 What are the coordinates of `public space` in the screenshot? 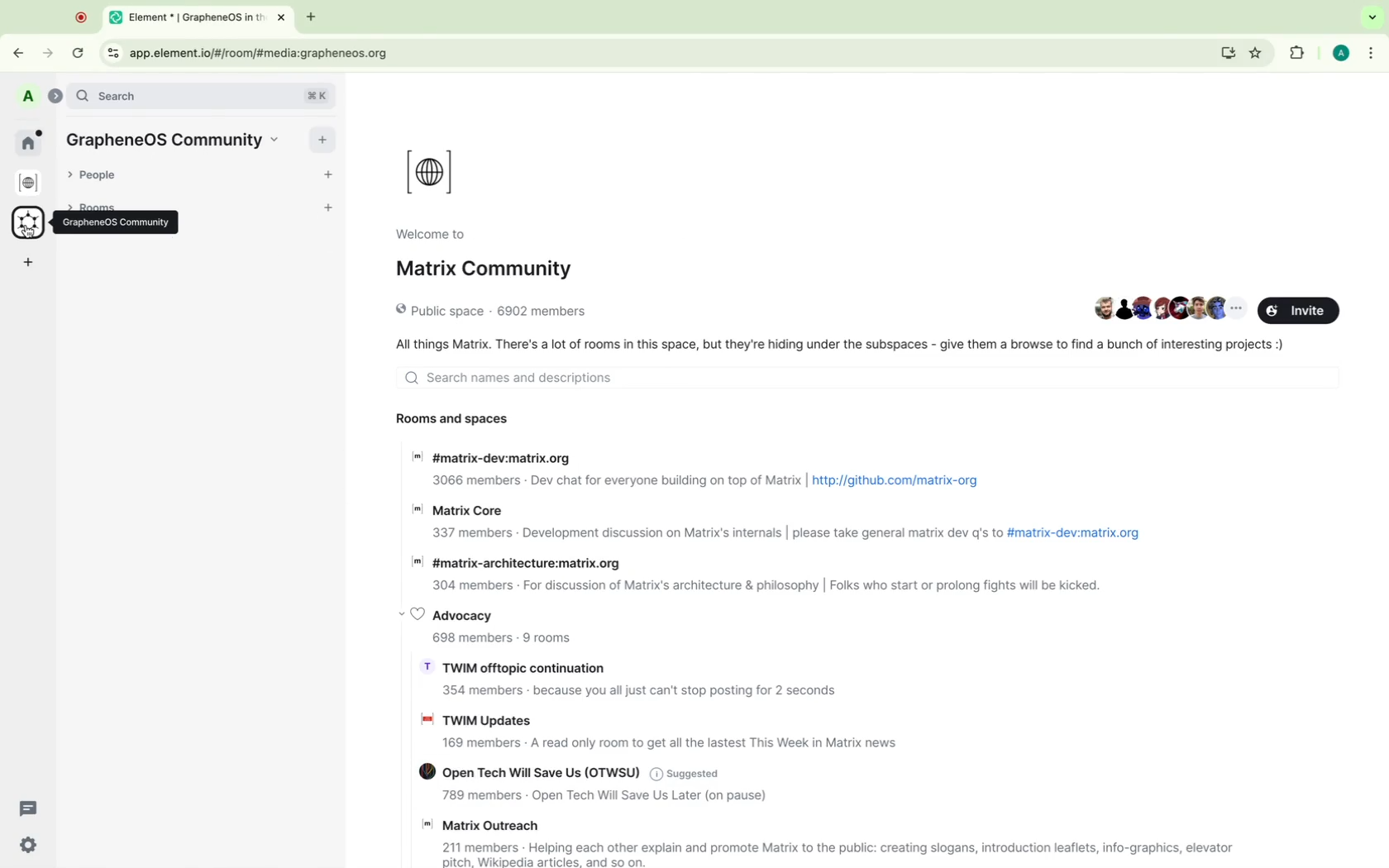 It's located at (432, 312).